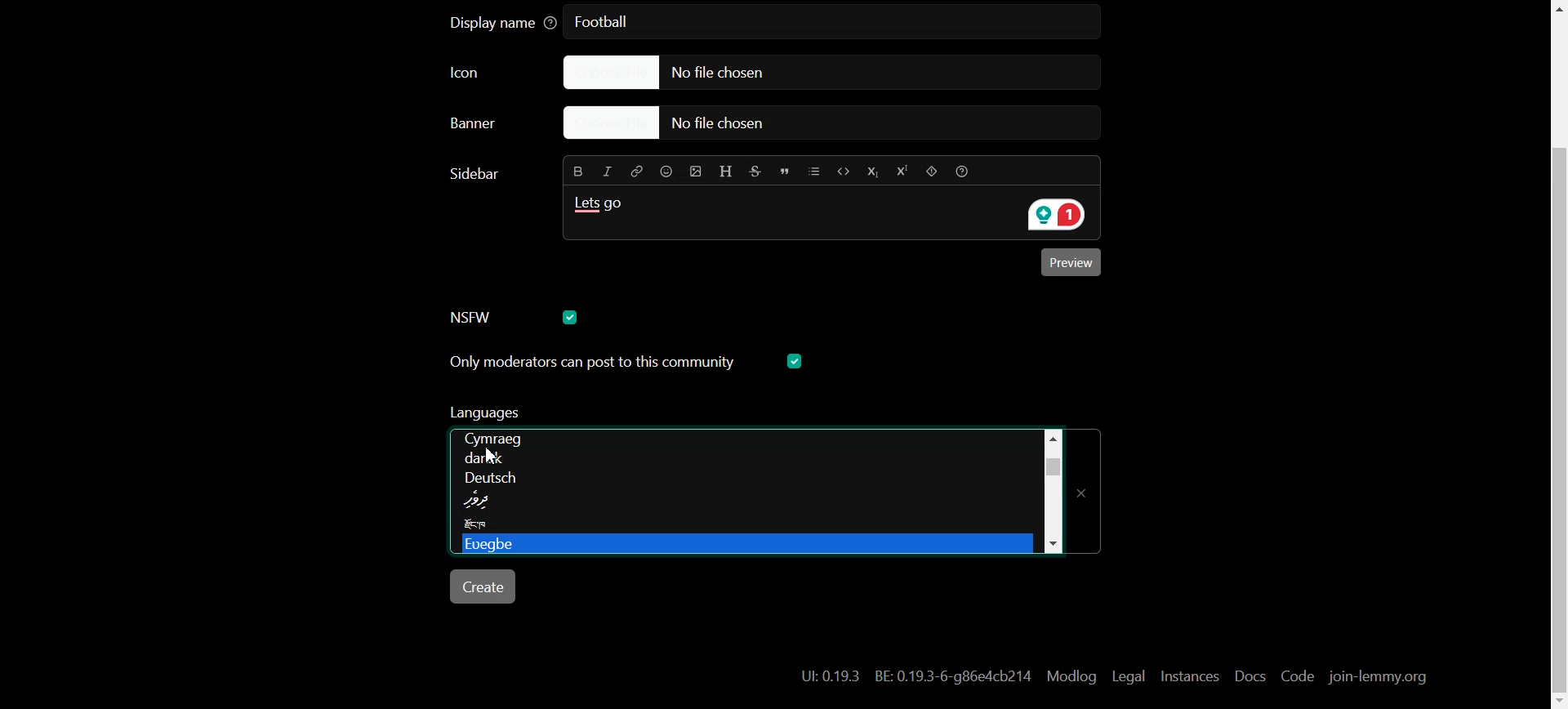  What do you see at coordinates (495, 455) in the screenshot?
I see `Cursor` at bounding box center [495, 455].